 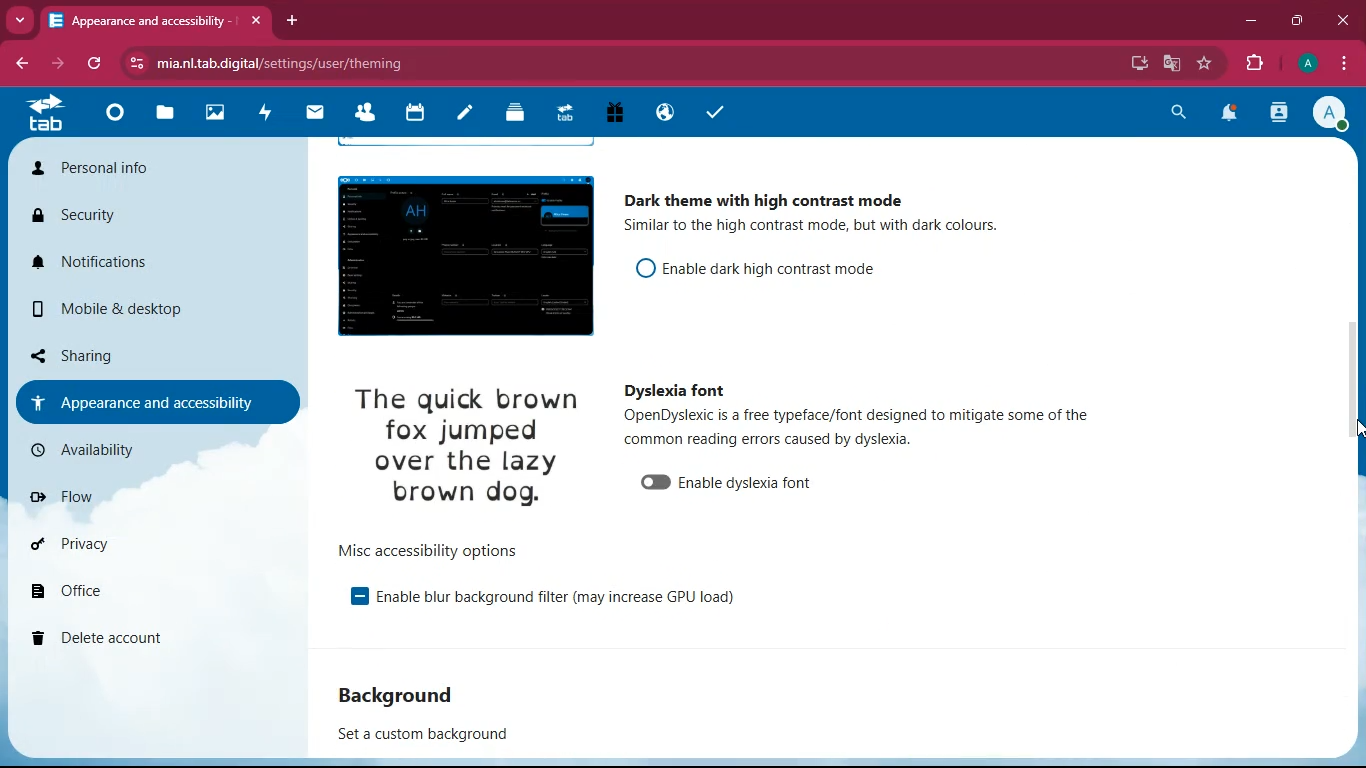 What do you see at coordinates (569, 599) in the screenshot?
I see `enable` at bounding box center [569, 599].